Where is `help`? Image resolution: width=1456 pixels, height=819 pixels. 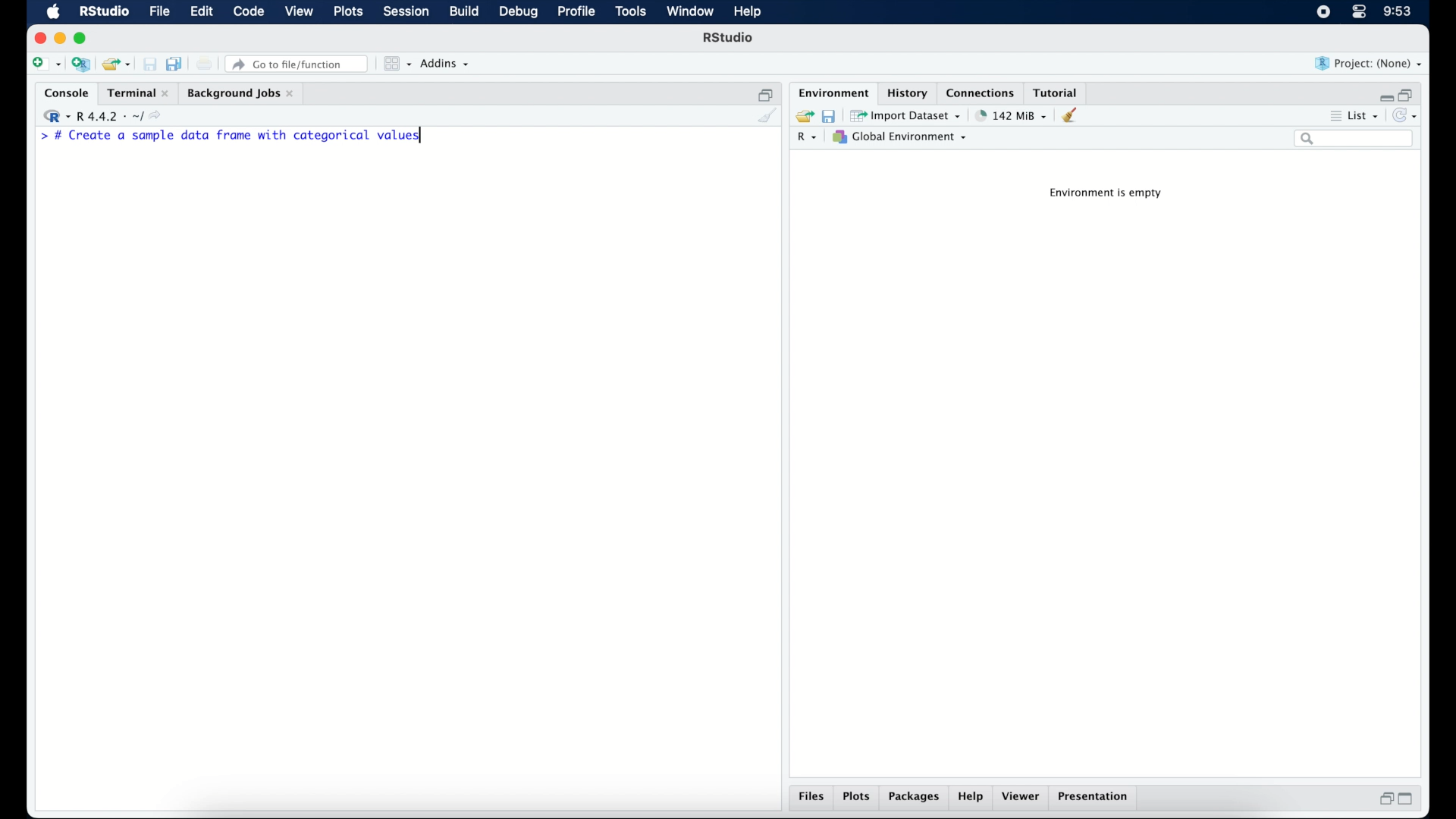 help is located at coordinates (973, 798).